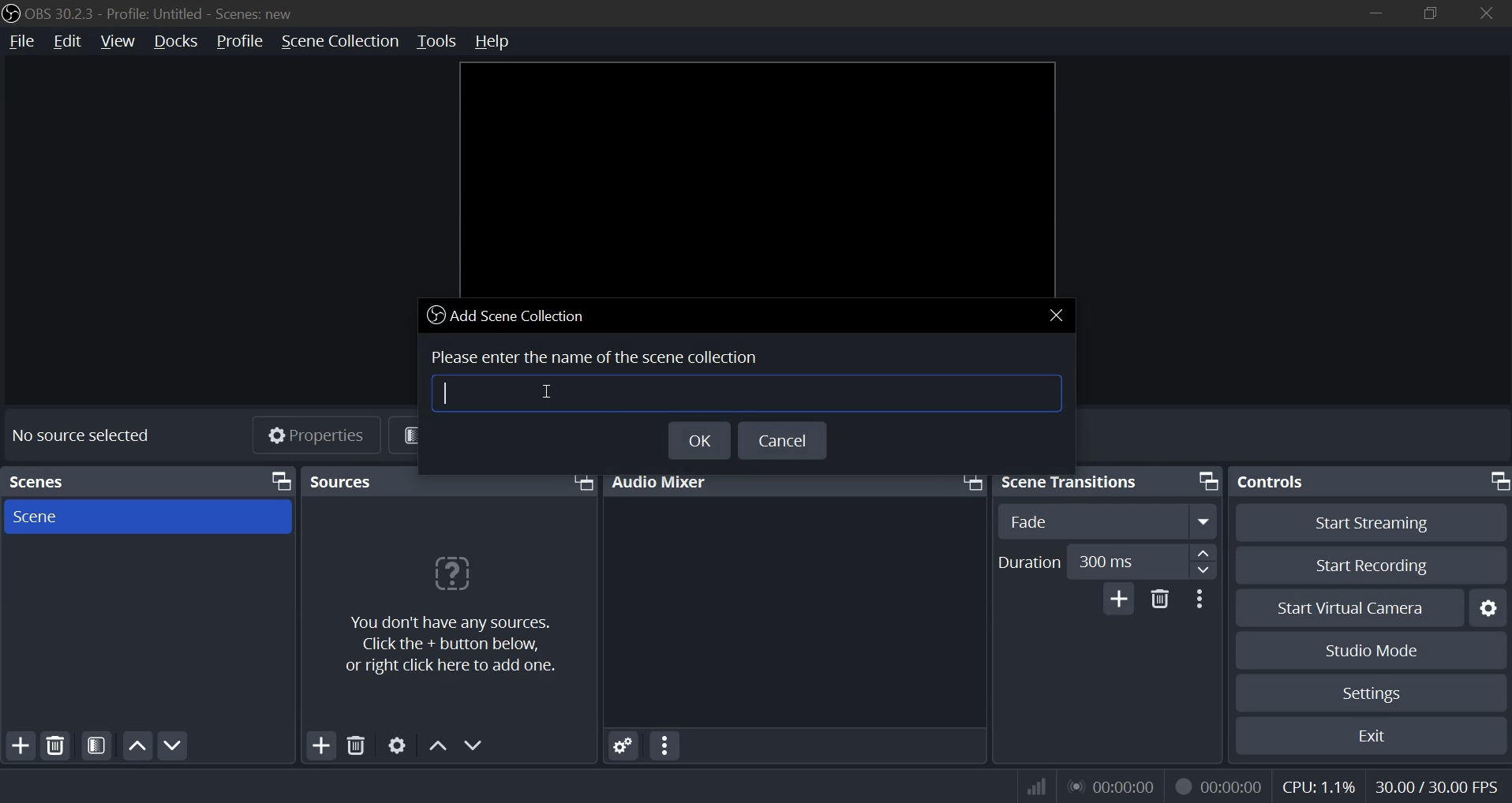 The height and width of the screenshot is (803, 1512). What do you see at coordinates (744, 392) in the screenshot?
I see `input name box` at bounding box center [744, 392].